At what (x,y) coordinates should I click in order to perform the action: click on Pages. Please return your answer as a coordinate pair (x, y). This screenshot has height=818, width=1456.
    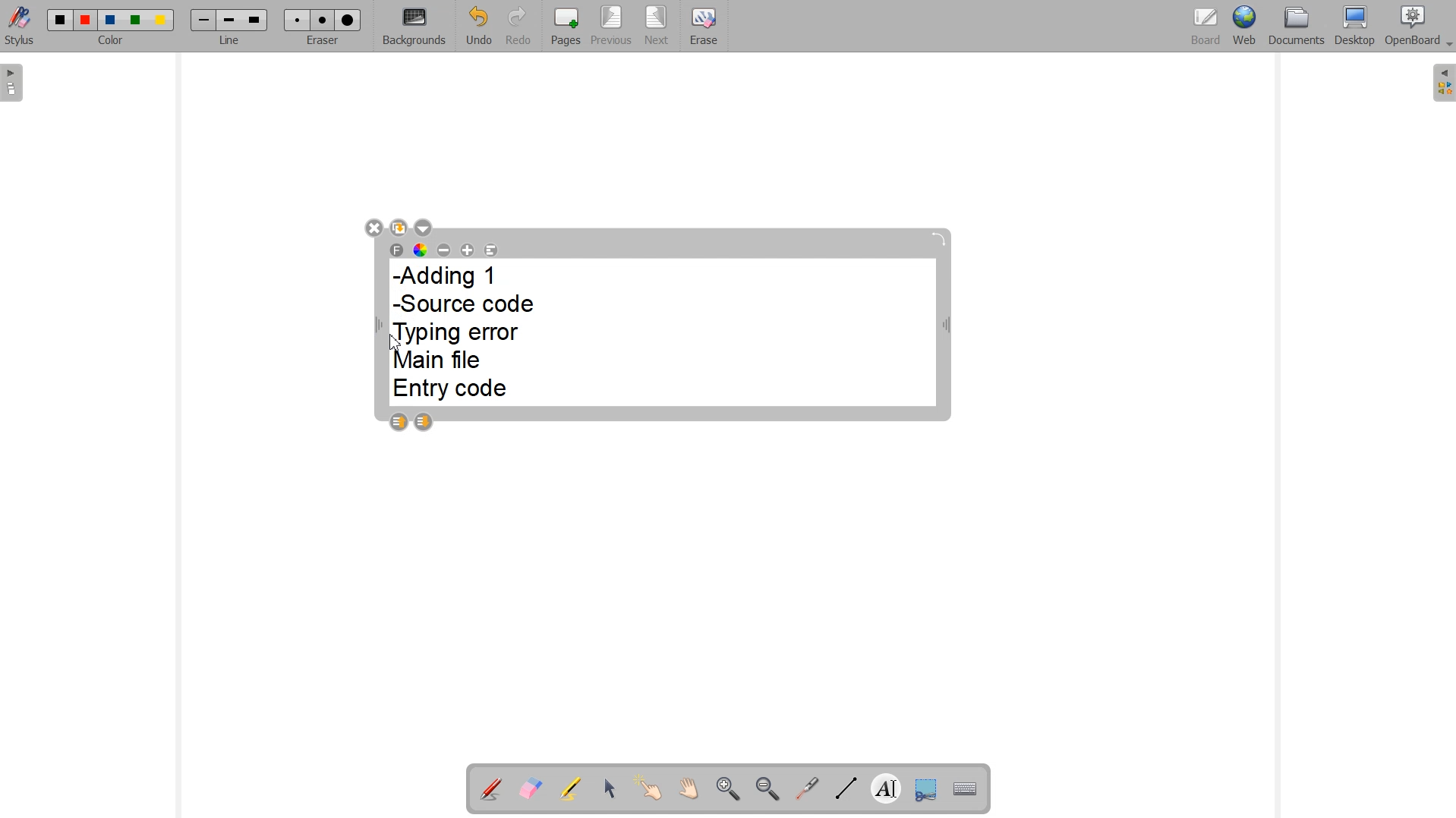
    Looking at the image, I should click on (566, 26).